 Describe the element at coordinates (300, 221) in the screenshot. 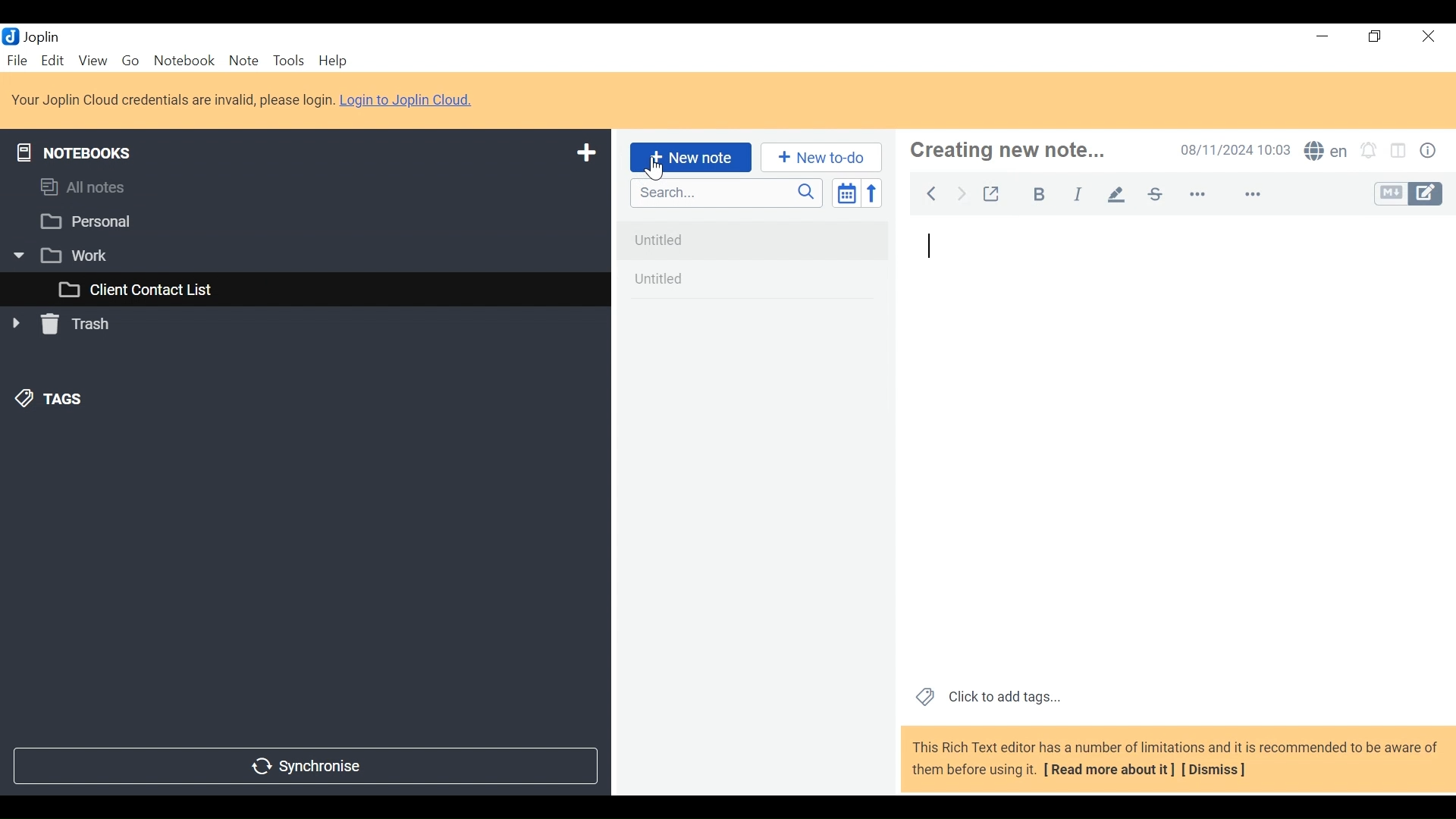

I see `Personal` at that location.